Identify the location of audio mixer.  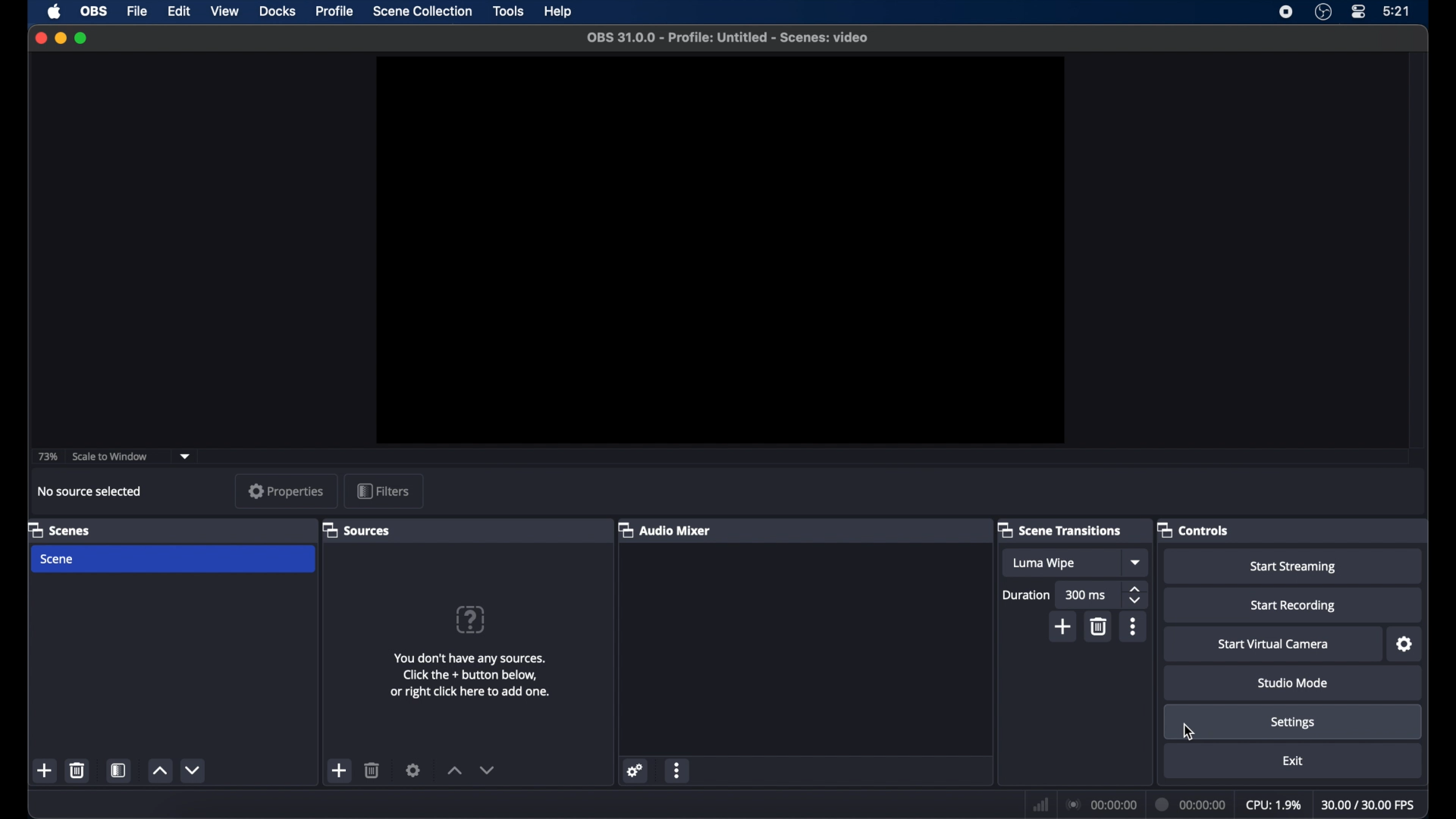
(664, 529).